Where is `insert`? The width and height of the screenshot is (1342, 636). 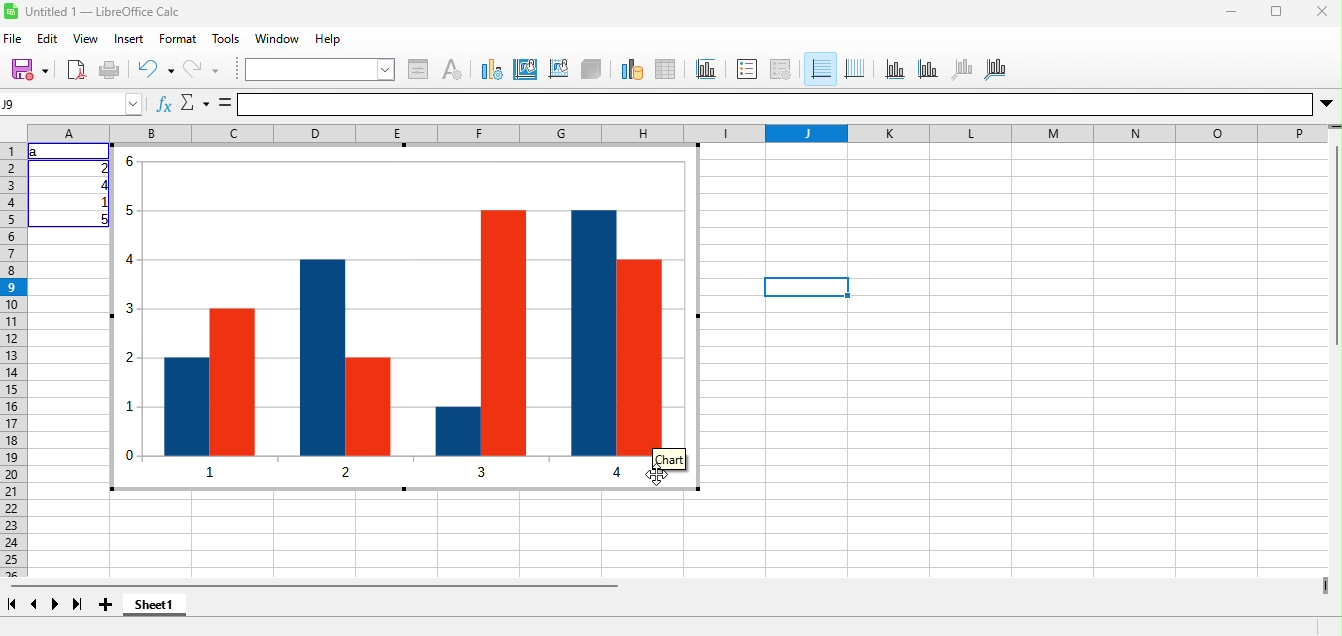
insert is located at coordinates (130, 40).